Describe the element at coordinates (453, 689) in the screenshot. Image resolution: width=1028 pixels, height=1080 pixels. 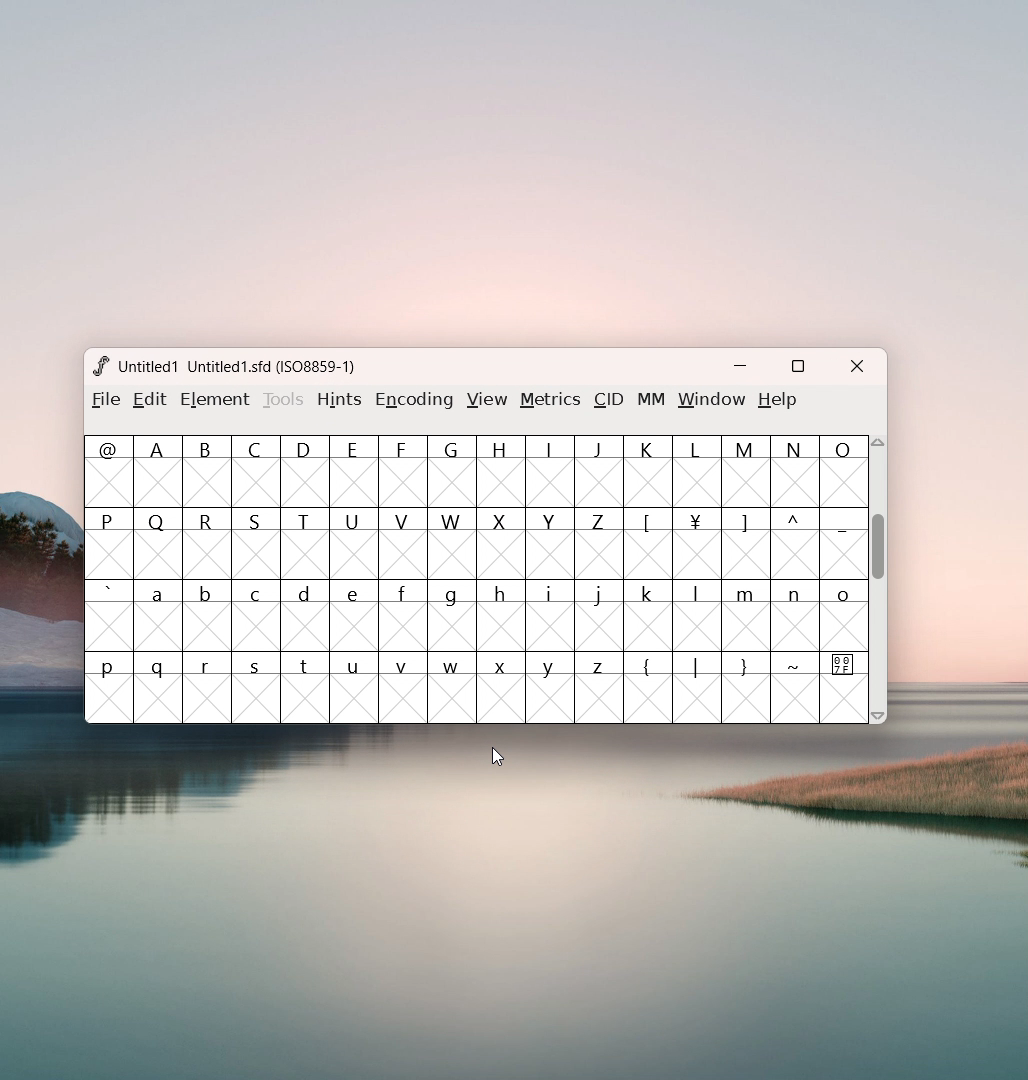
I see `w` at that location.